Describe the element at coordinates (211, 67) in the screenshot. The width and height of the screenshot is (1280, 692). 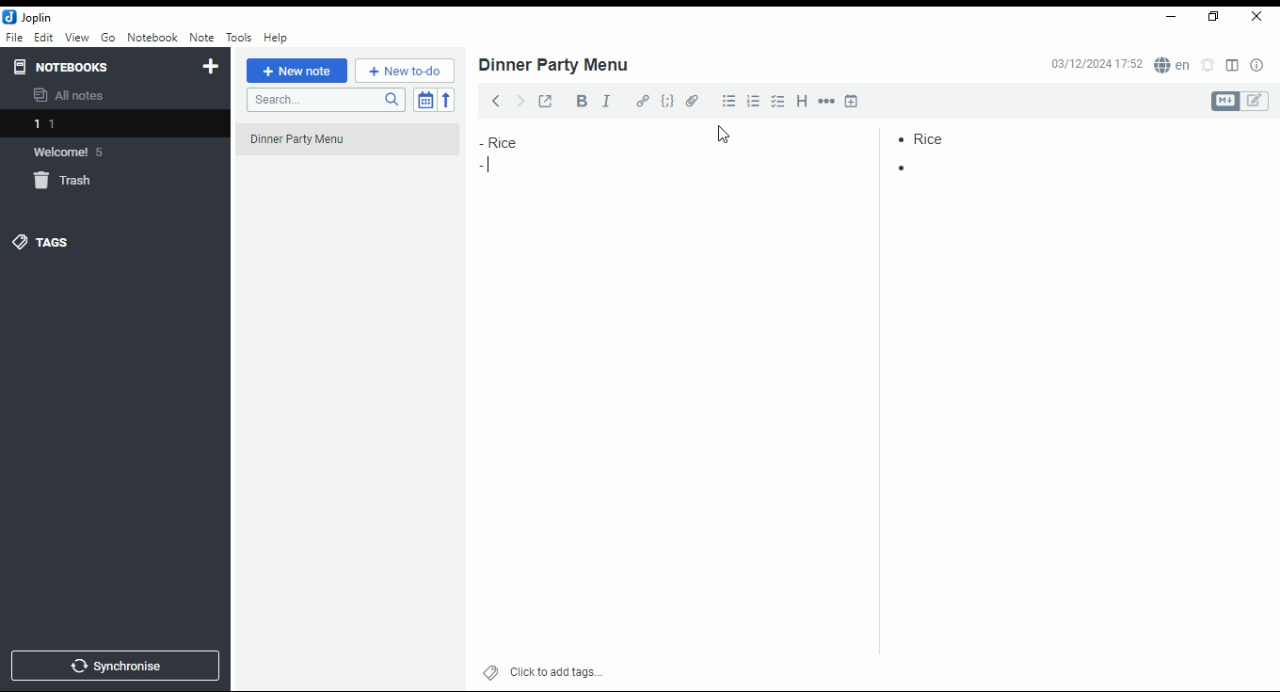
I see `new notebook` at that location.